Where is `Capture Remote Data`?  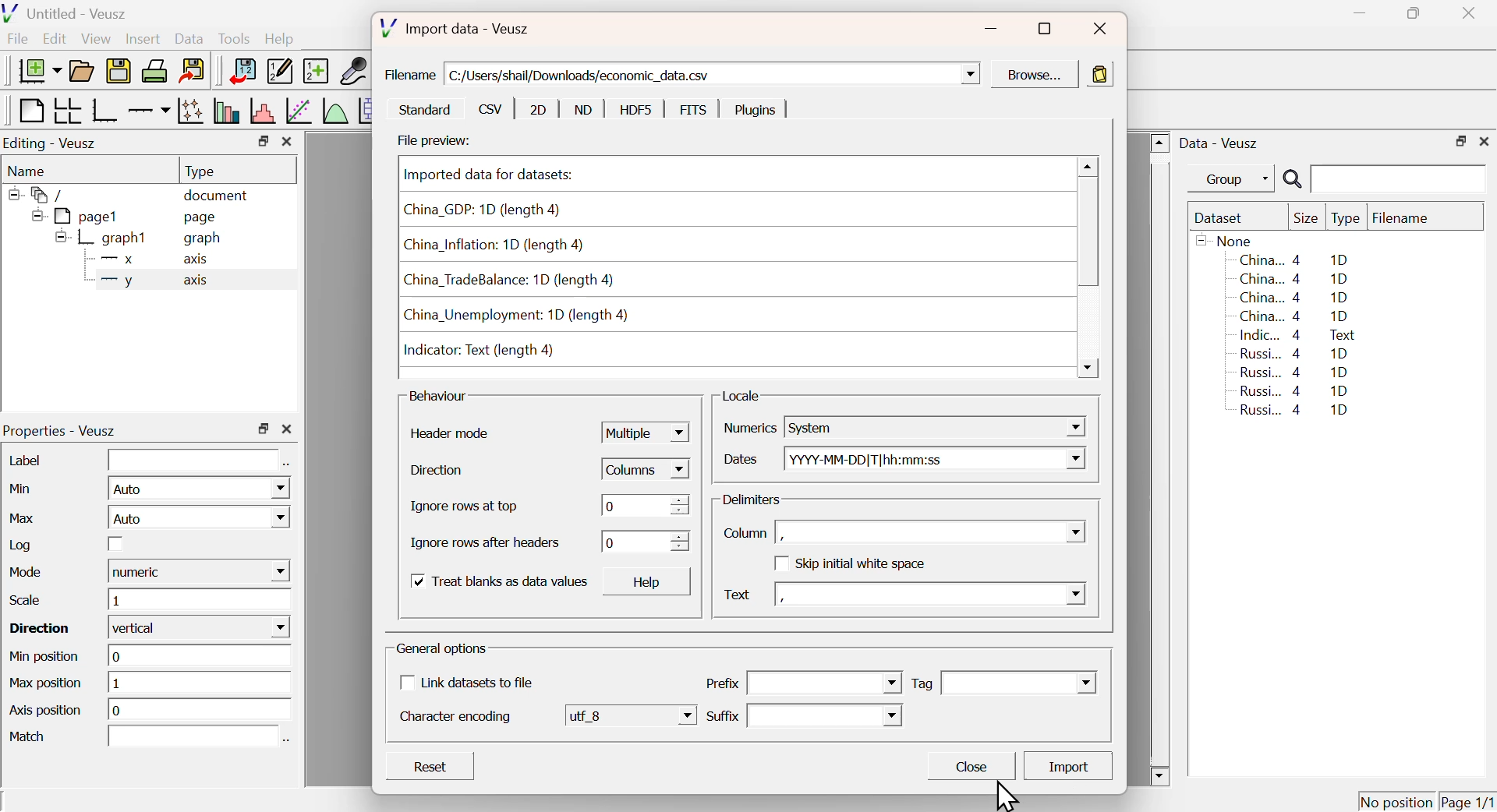 Capture Remote Data is located at coordinates (354, 69).